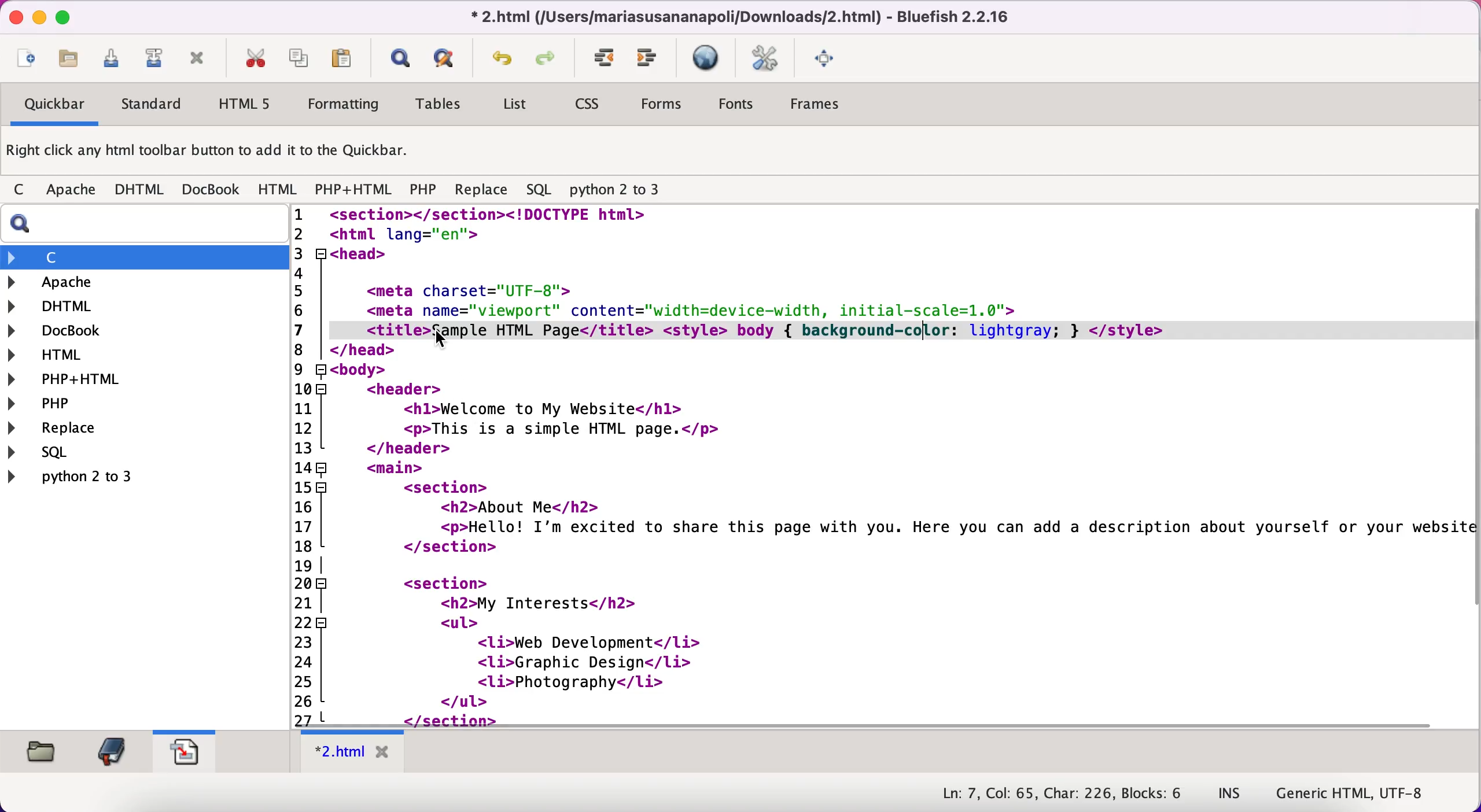 The height and width of the screenshot is (812, 1481). Describe the element at coordinates (765, 60) in the screenshot. I see `edit preferences` at that location.